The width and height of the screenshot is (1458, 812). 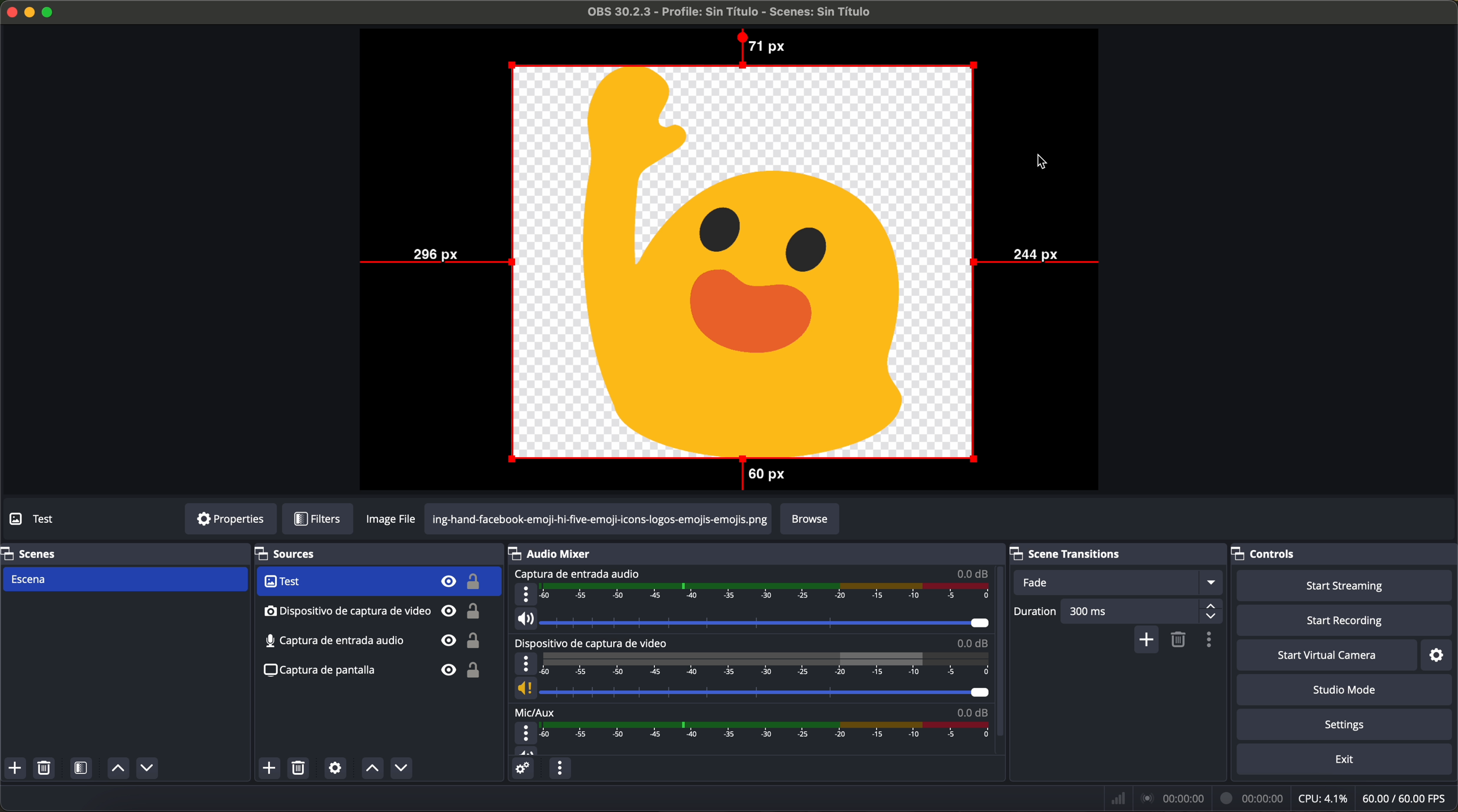 What do you see at coordinates (751, 689) in the screenshot?
I see `vol` at bounding box center [751, 689].